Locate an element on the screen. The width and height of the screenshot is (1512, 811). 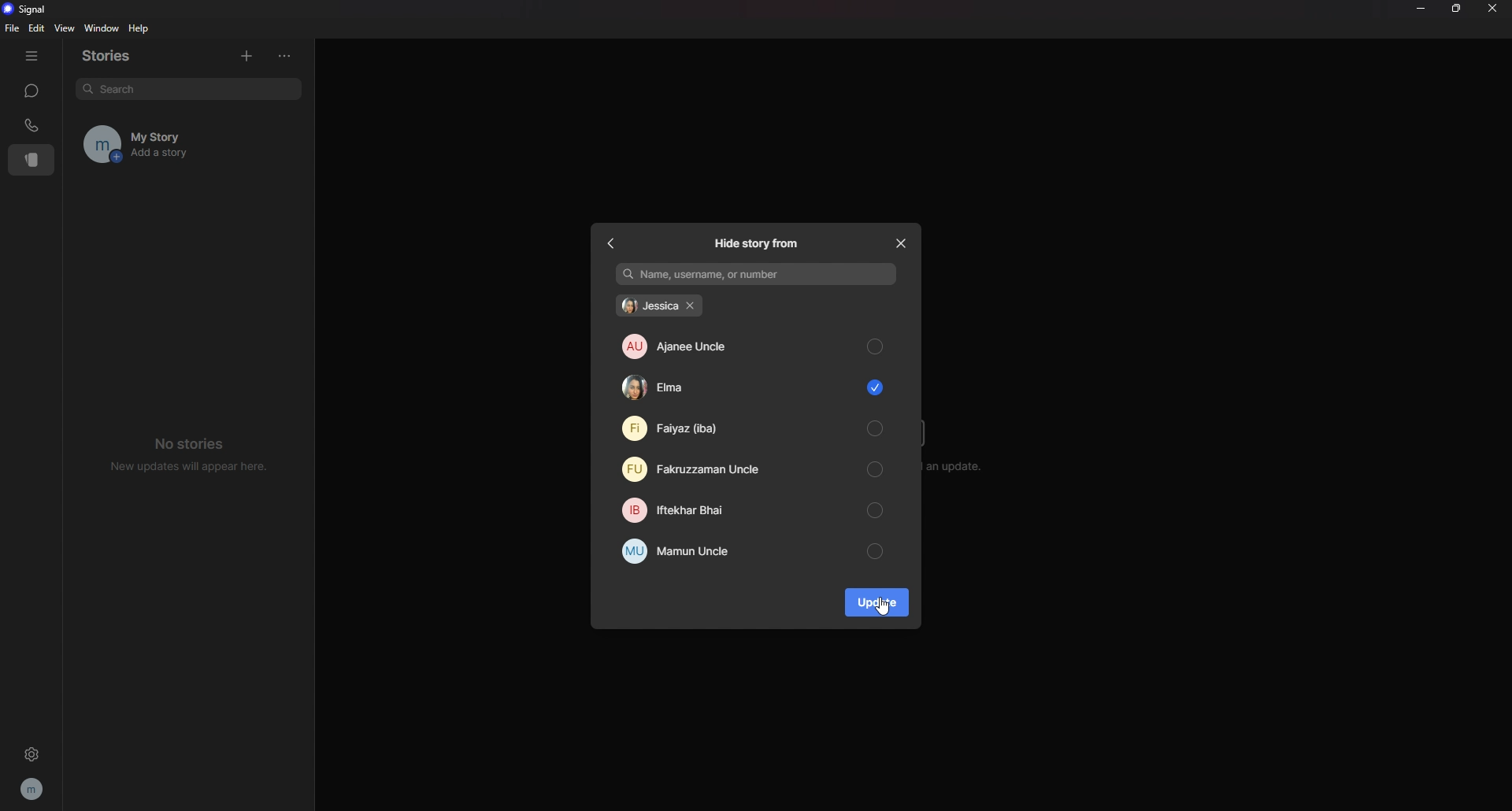
add stories is located at coordinates (246, 54).